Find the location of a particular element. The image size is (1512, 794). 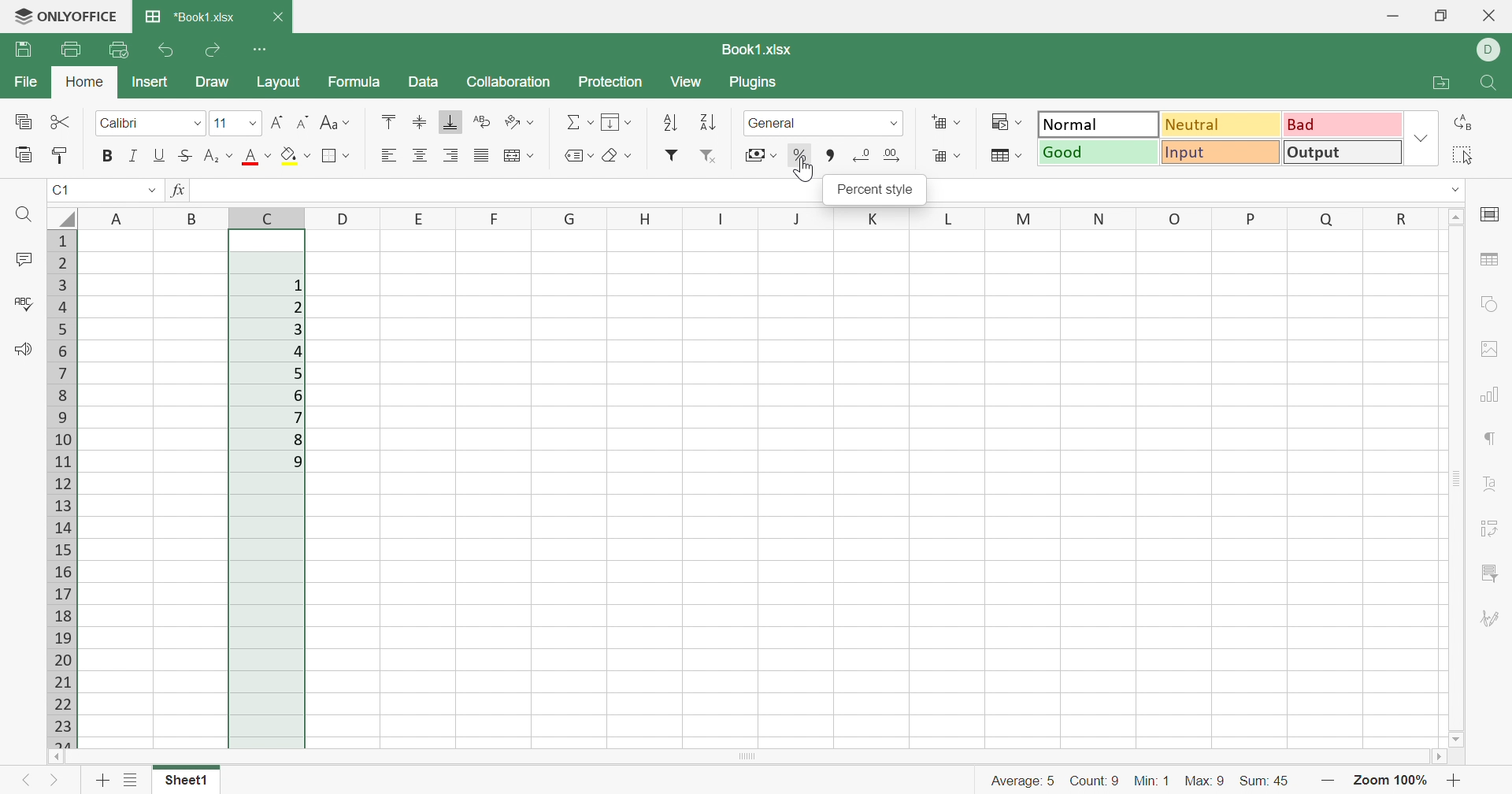

Chart settings is located at coordinates (1494, 396).